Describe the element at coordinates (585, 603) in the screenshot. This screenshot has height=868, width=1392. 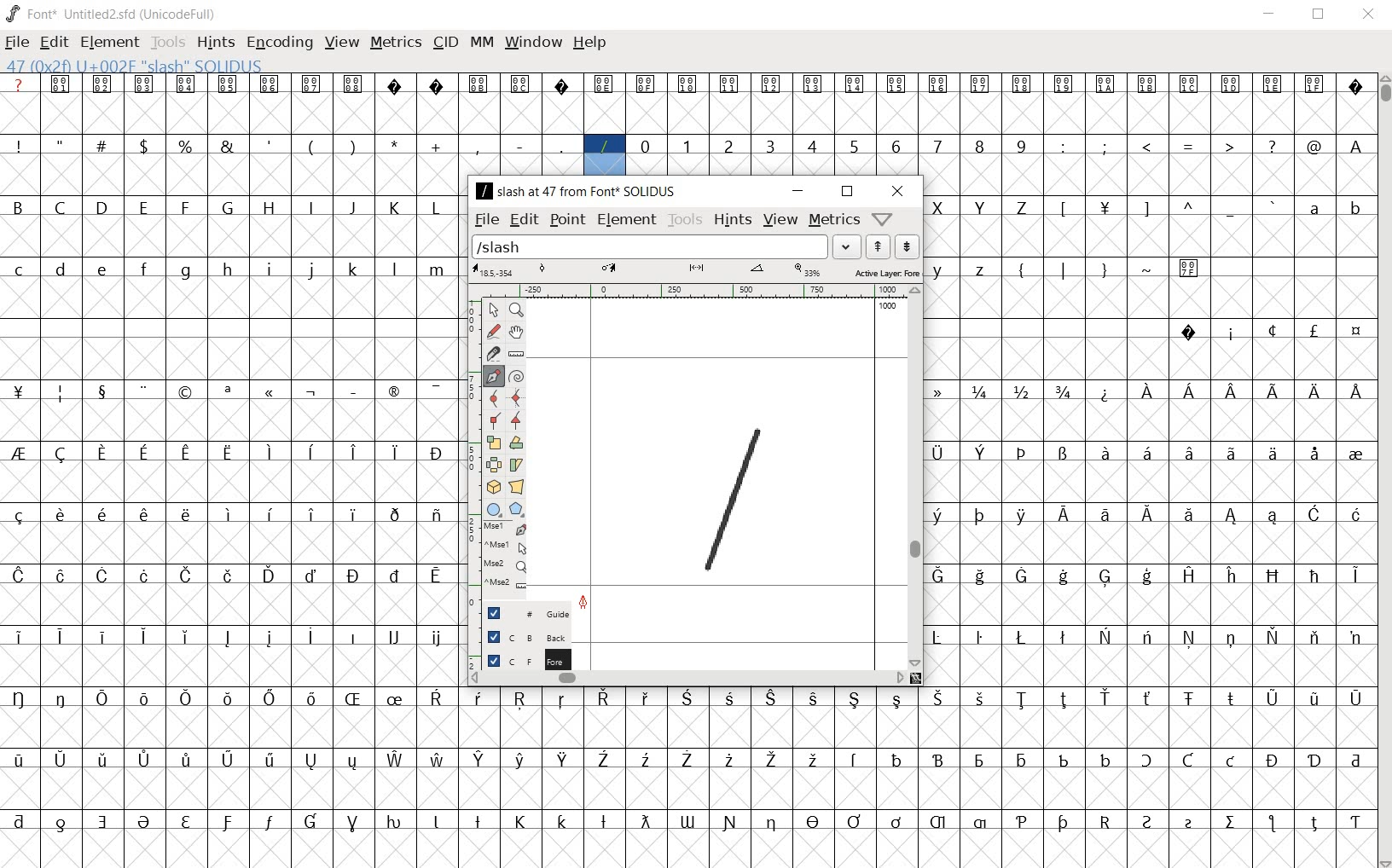
I see `feltpen tool/cursor location` at that location.